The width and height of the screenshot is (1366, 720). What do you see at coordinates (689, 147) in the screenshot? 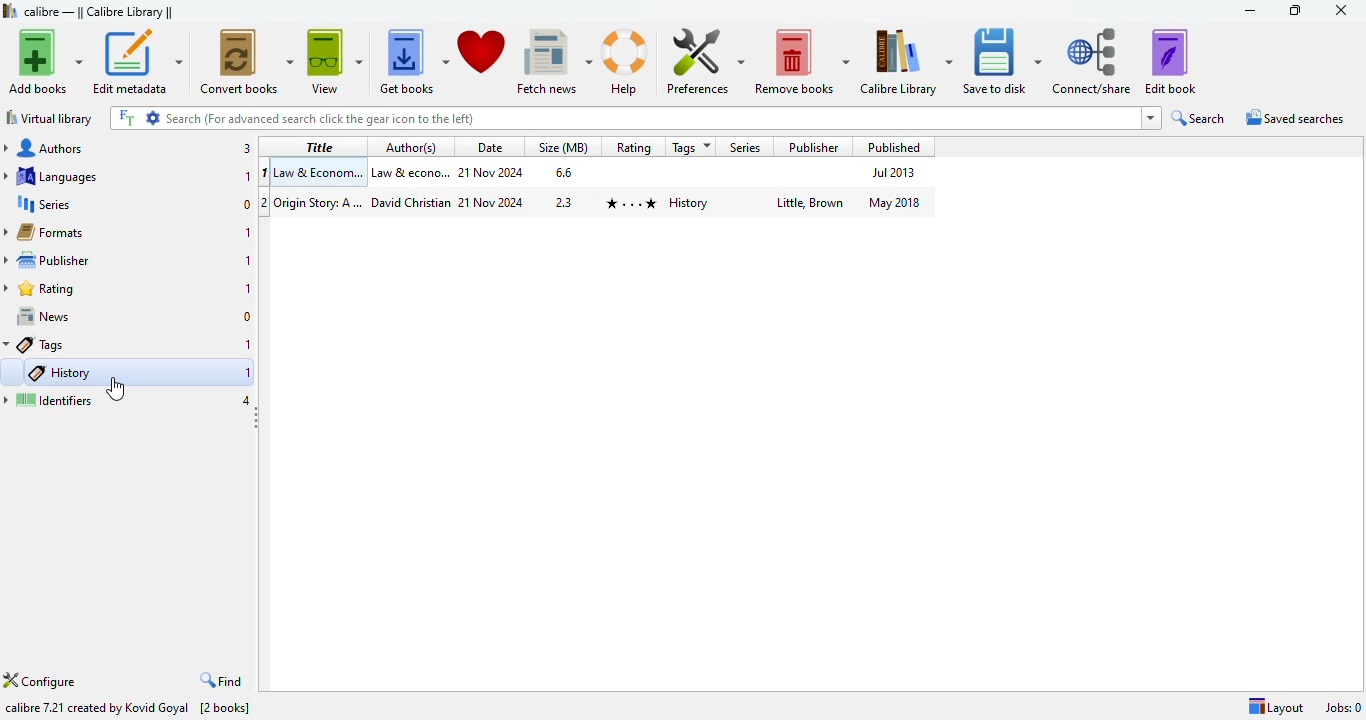
I see `tags` at bounding box center [689, 147].